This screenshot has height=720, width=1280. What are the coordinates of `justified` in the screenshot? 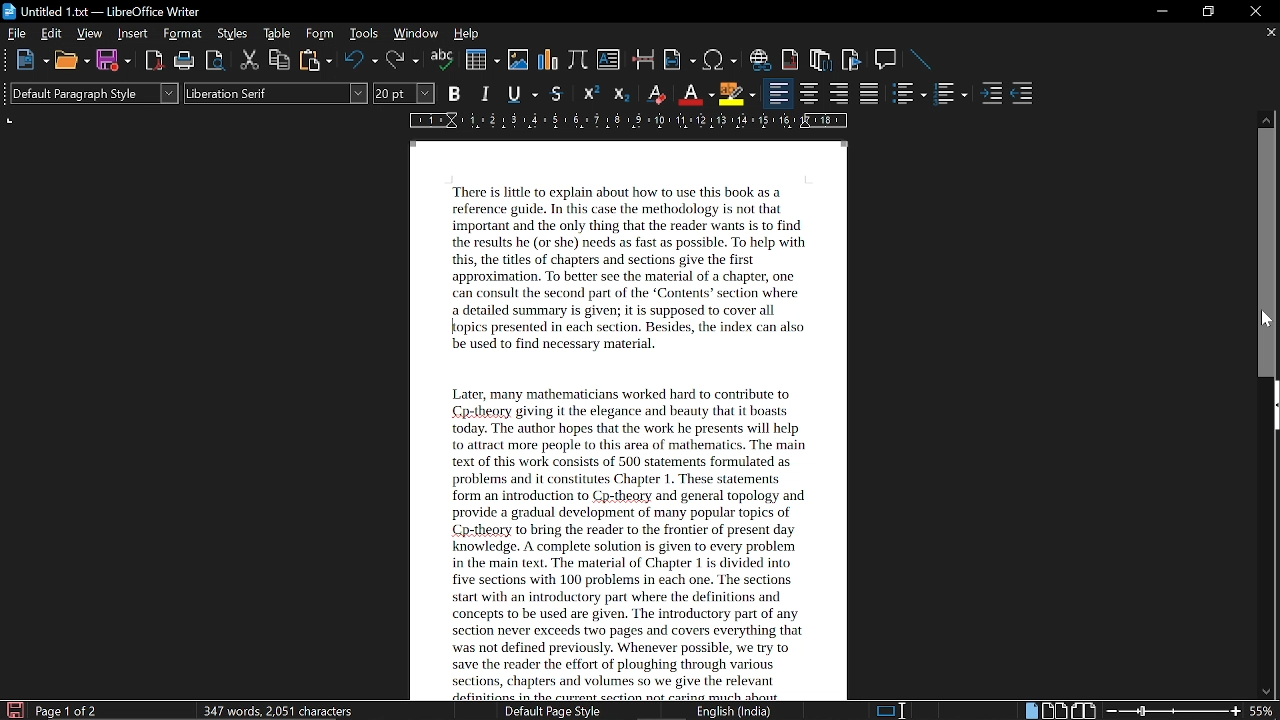 It's located at (870, 95).